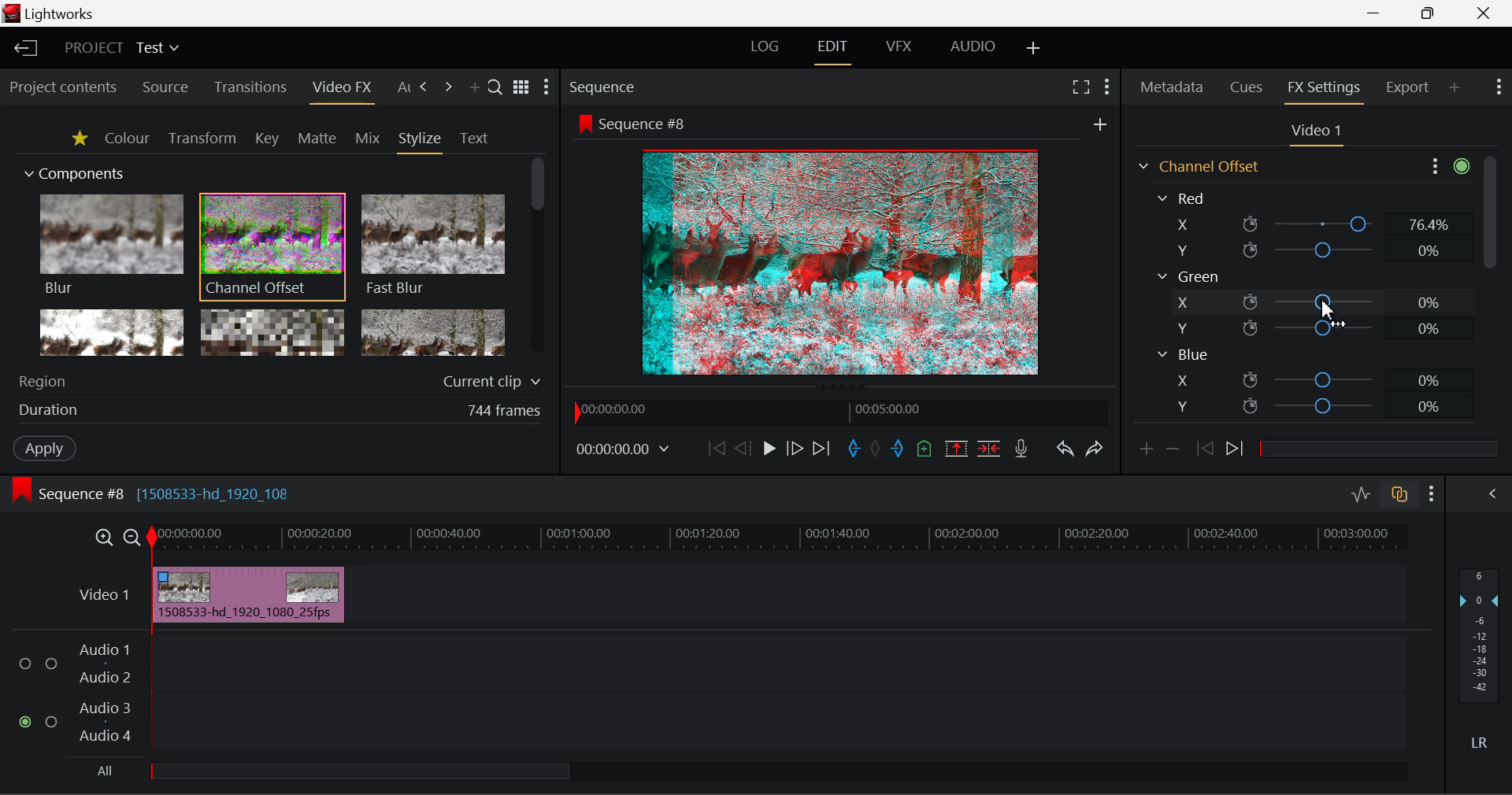 Image resolution: width=1512 pixels, height=795 pixels. What do you see at coordinates (1314, 379) in the screenshot?
I see `Blue X` at bounding box center [1314, 379].